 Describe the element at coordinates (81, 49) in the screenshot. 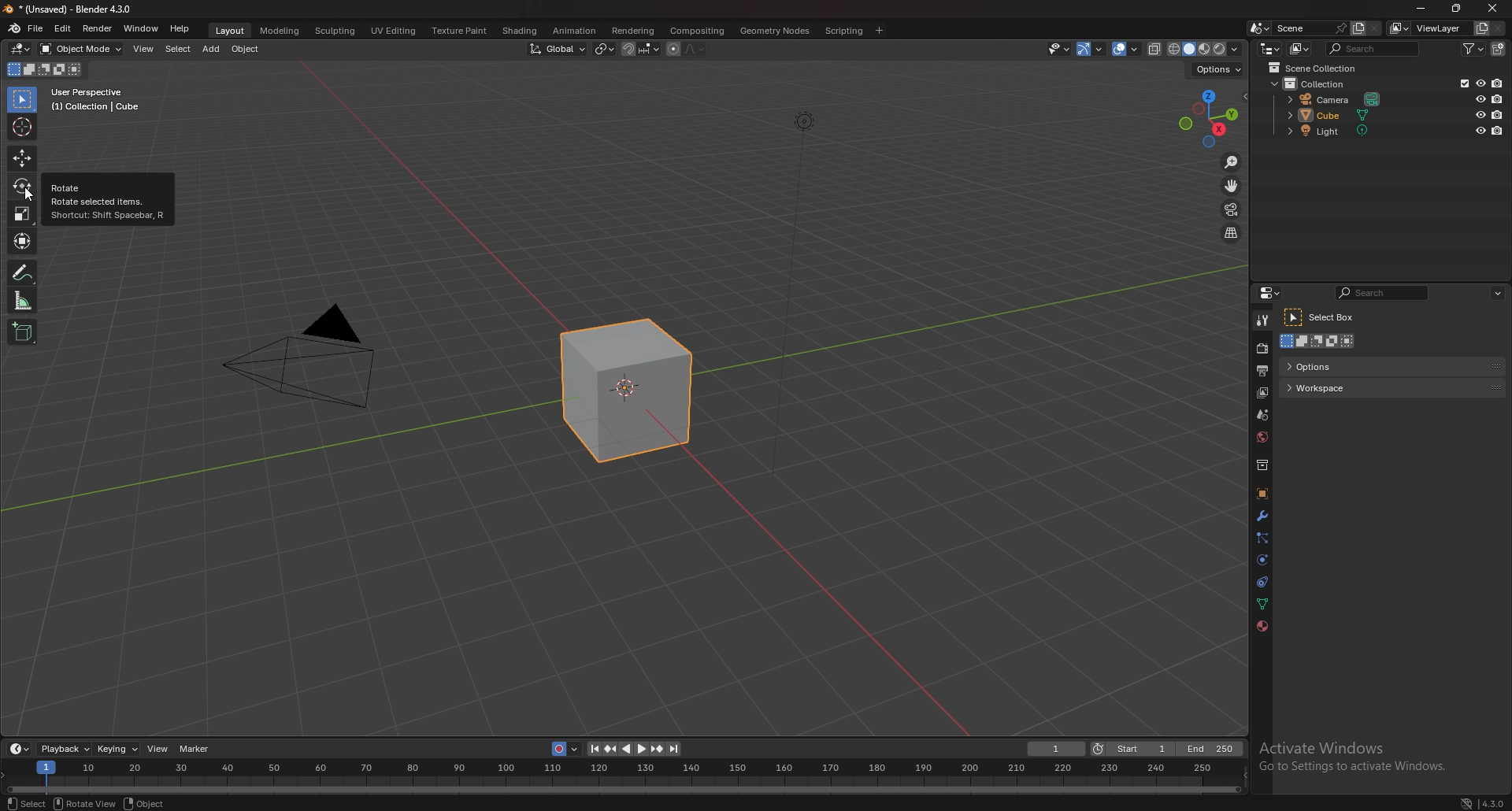

I see `object mode` at that location.